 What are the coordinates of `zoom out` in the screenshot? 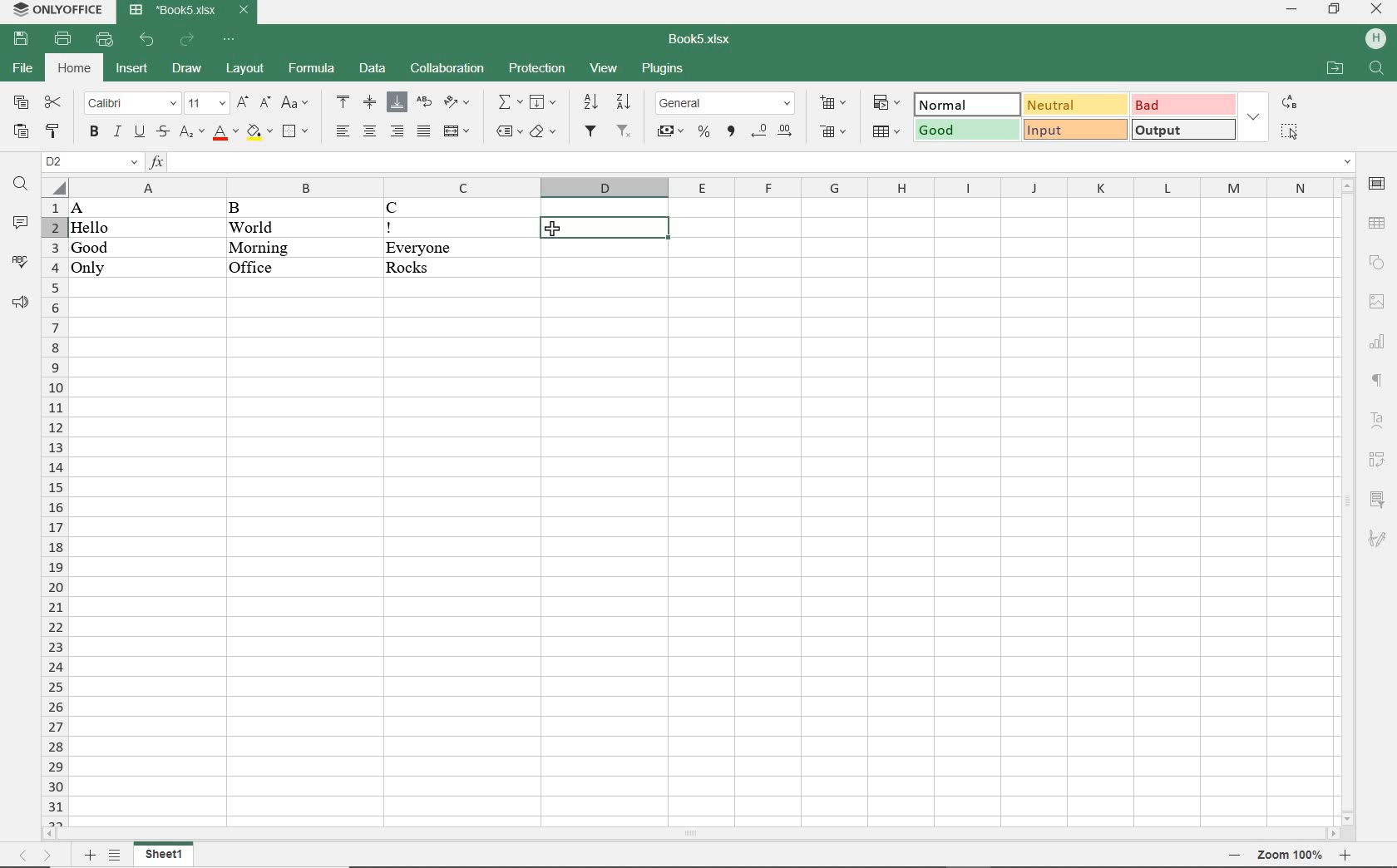 It's located at (1233, 854).